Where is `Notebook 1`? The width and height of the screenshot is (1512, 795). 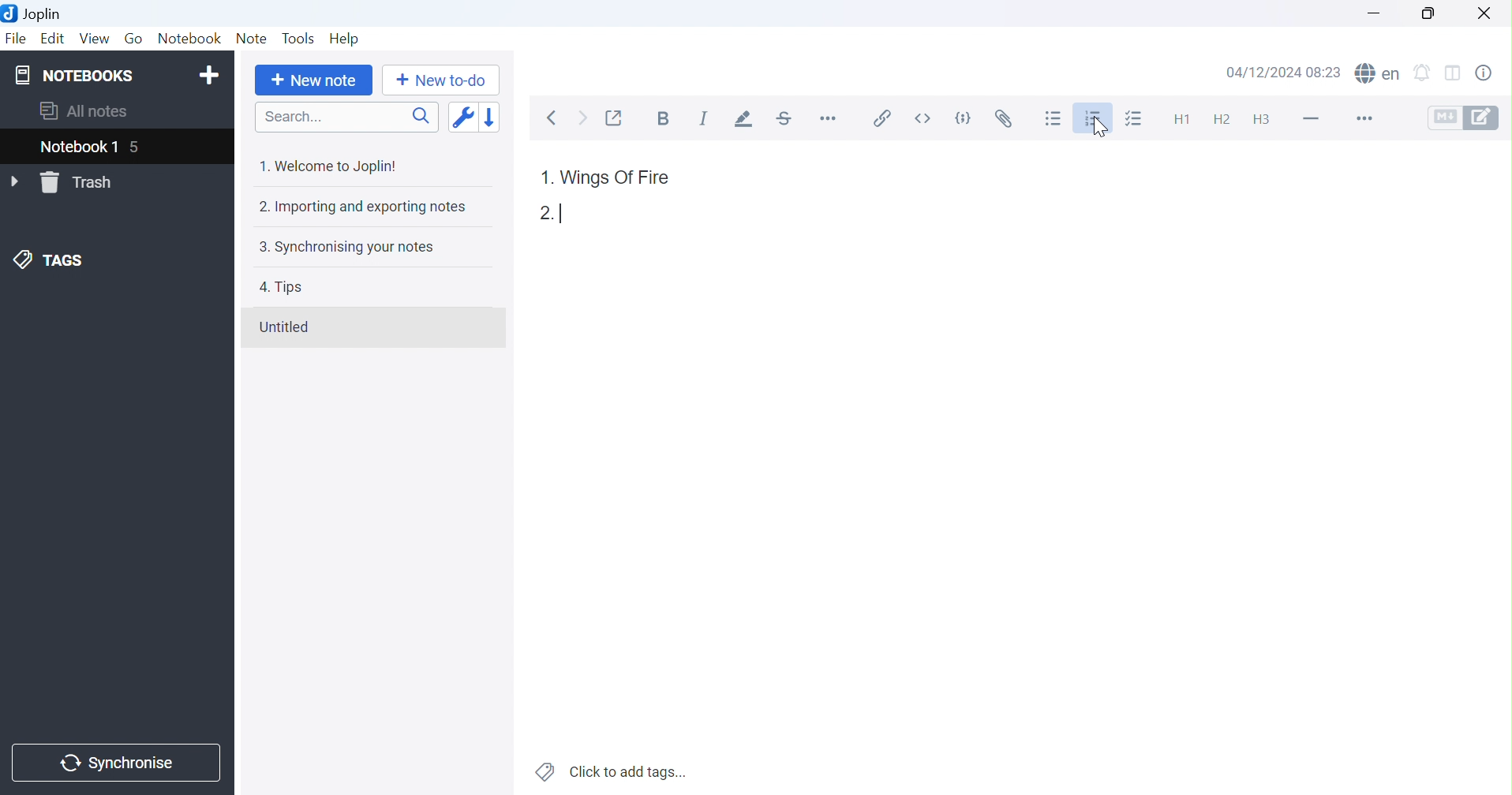
Notebook 1 is located at coordinates (78, 148).